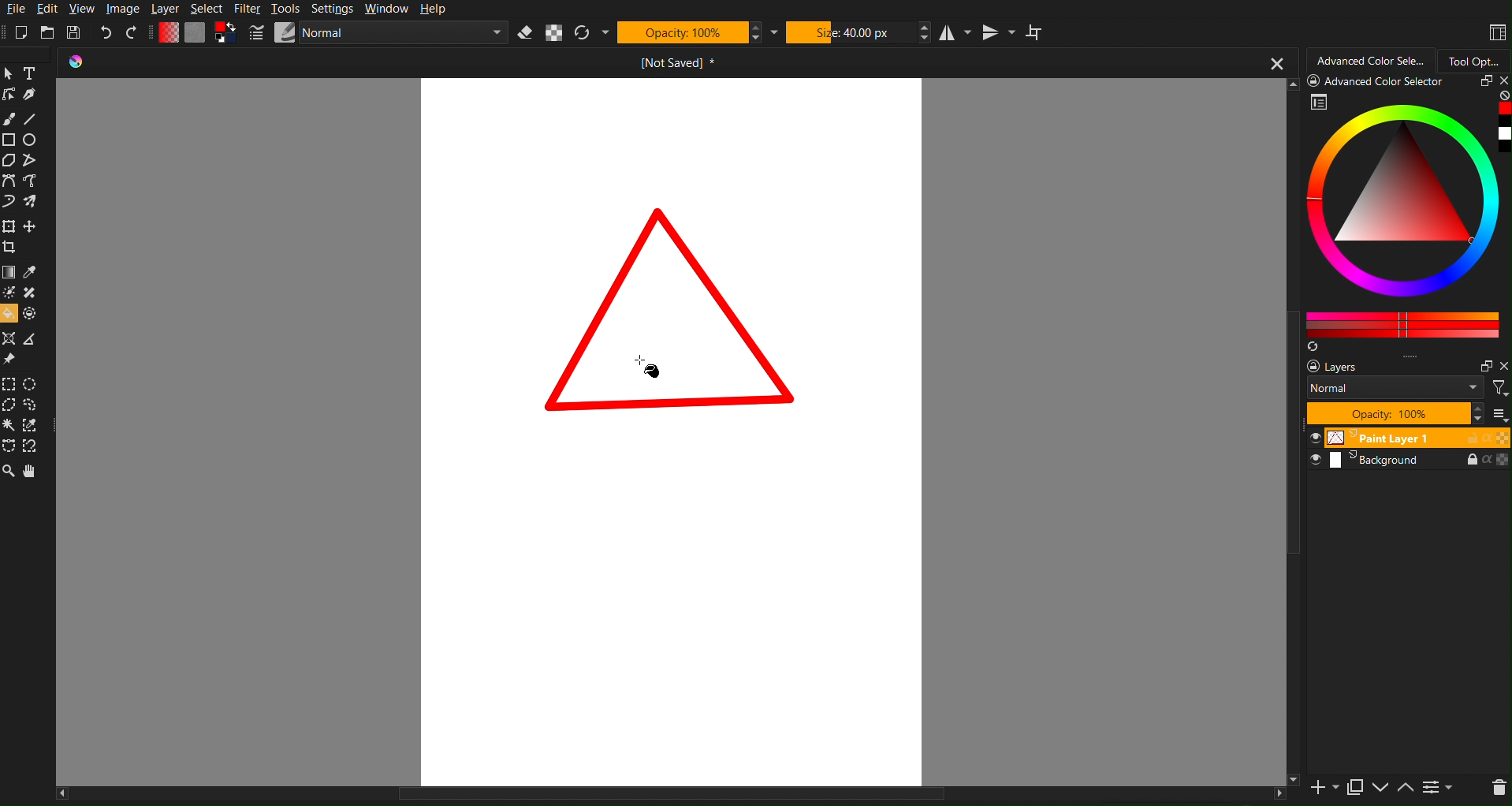 The height and width of the screenshot is (806, 1512). I want to click on add a new layer, so click(1322, 789).